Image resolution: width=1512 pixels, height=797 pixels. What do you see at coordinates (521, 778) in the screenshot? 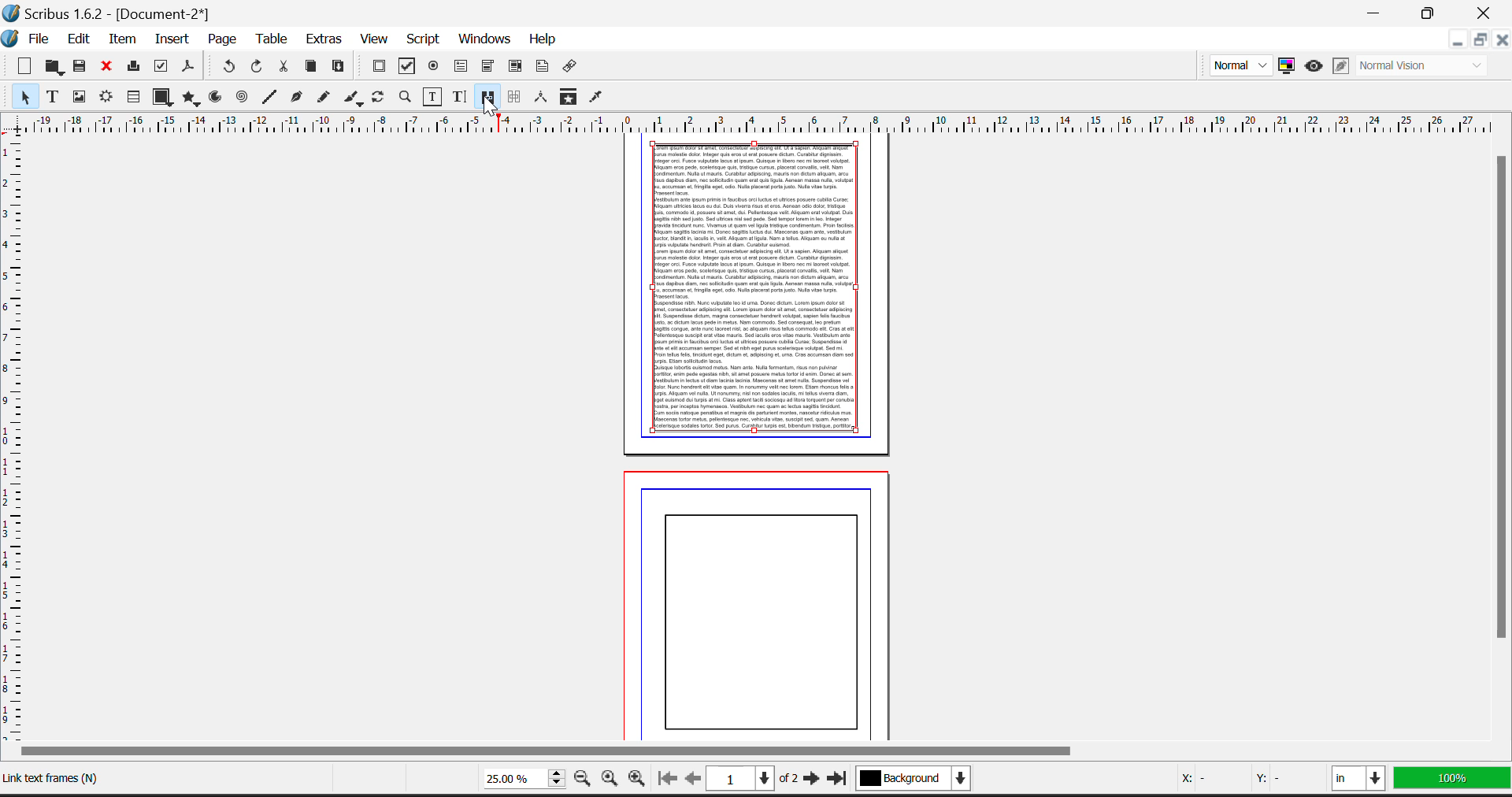
I see `250% [&` at bounding box center [521, 778].